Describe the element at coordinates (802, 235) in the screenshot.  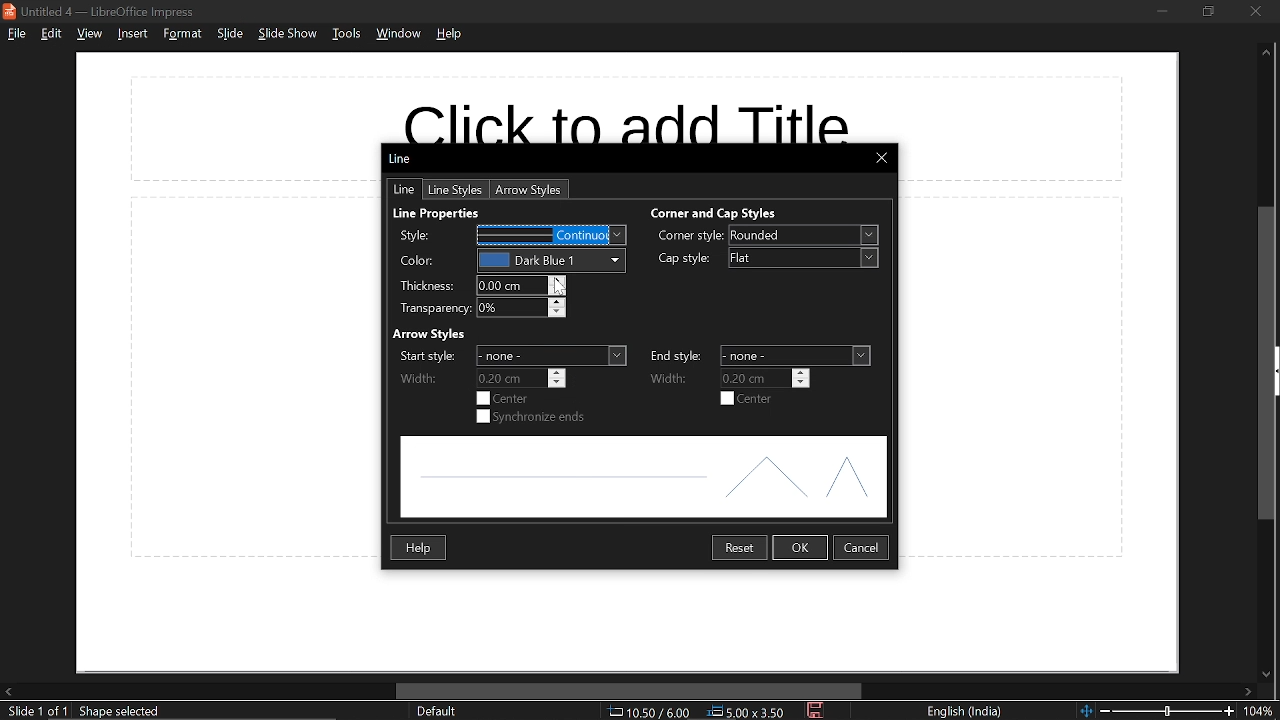
I see `corner style` at that location.